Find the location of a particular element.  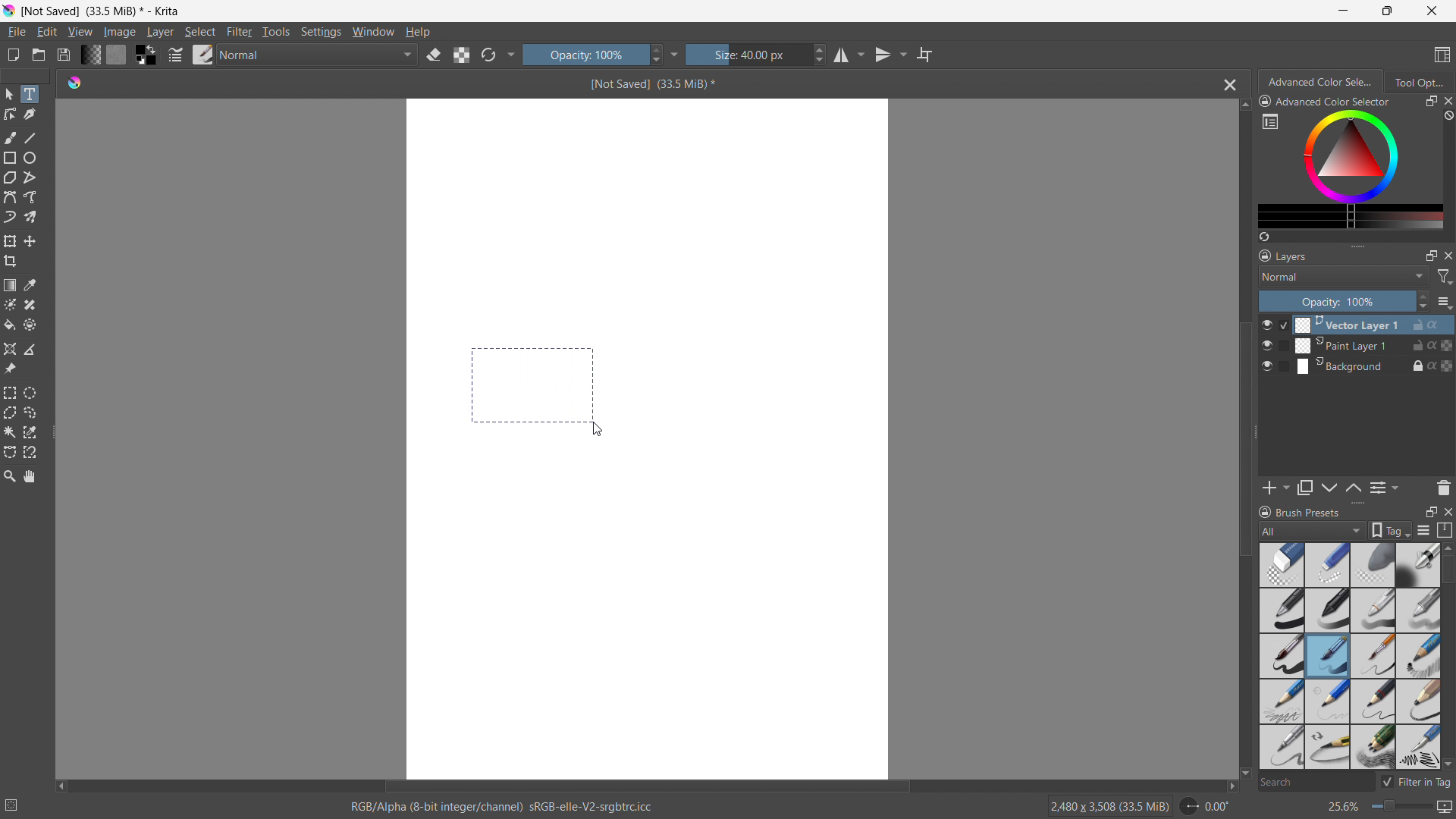

zoom level is located at coordinates (1389, 808).